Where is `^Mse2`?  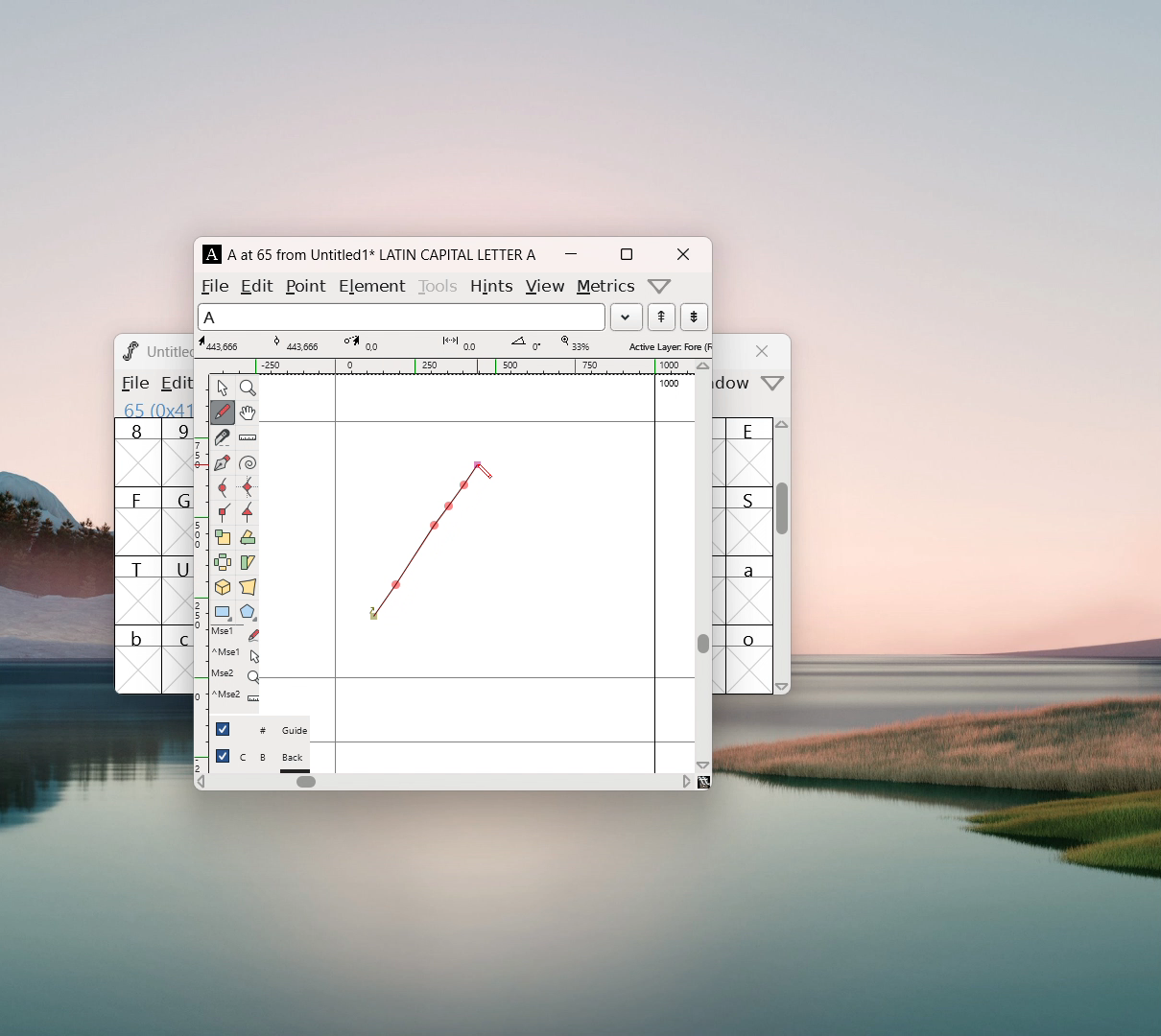 ^Mse2 is located at coordinates (236, 653).